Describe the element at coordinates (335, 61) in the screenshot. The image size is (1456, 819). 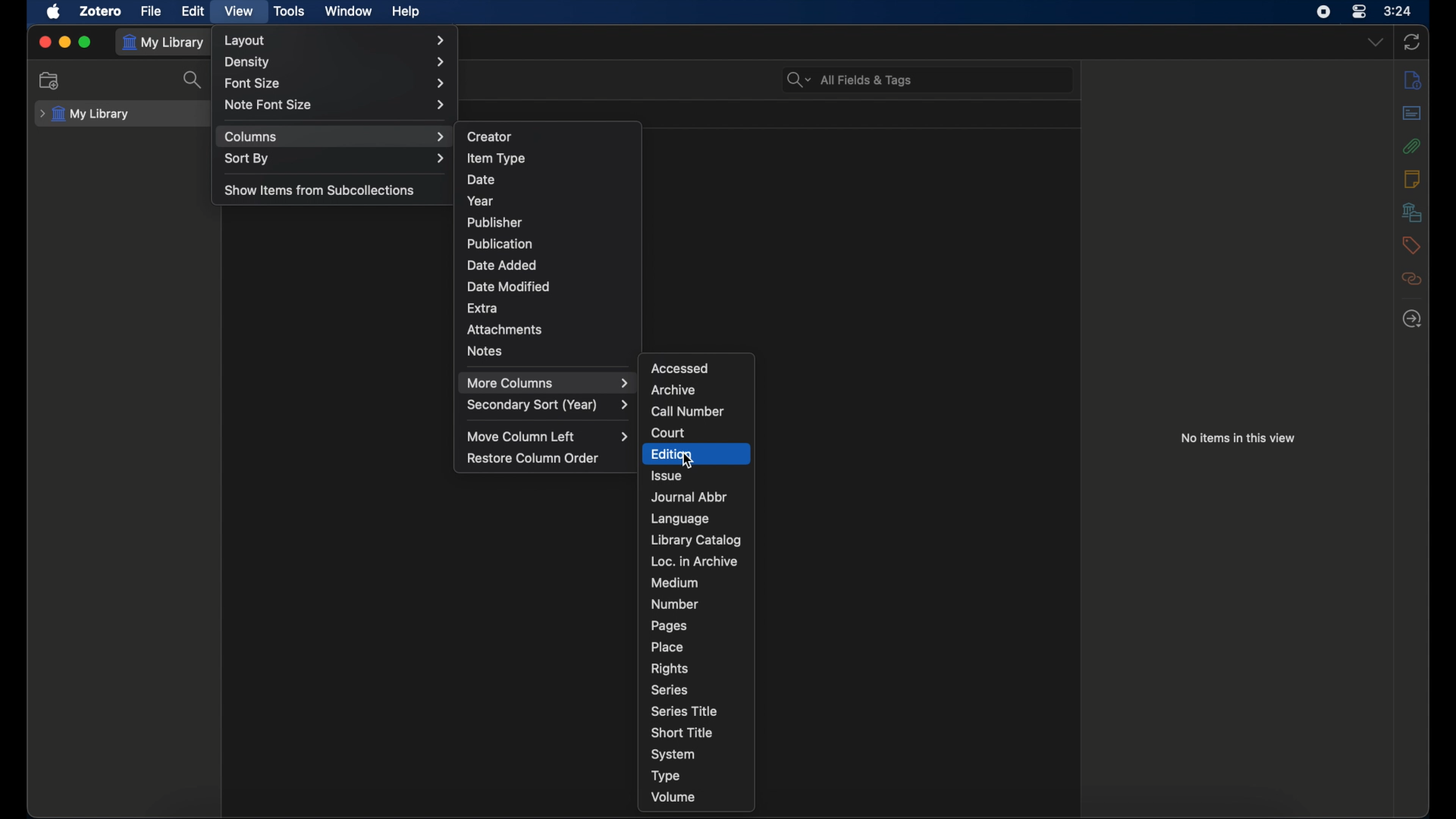
I see `density` at that location.